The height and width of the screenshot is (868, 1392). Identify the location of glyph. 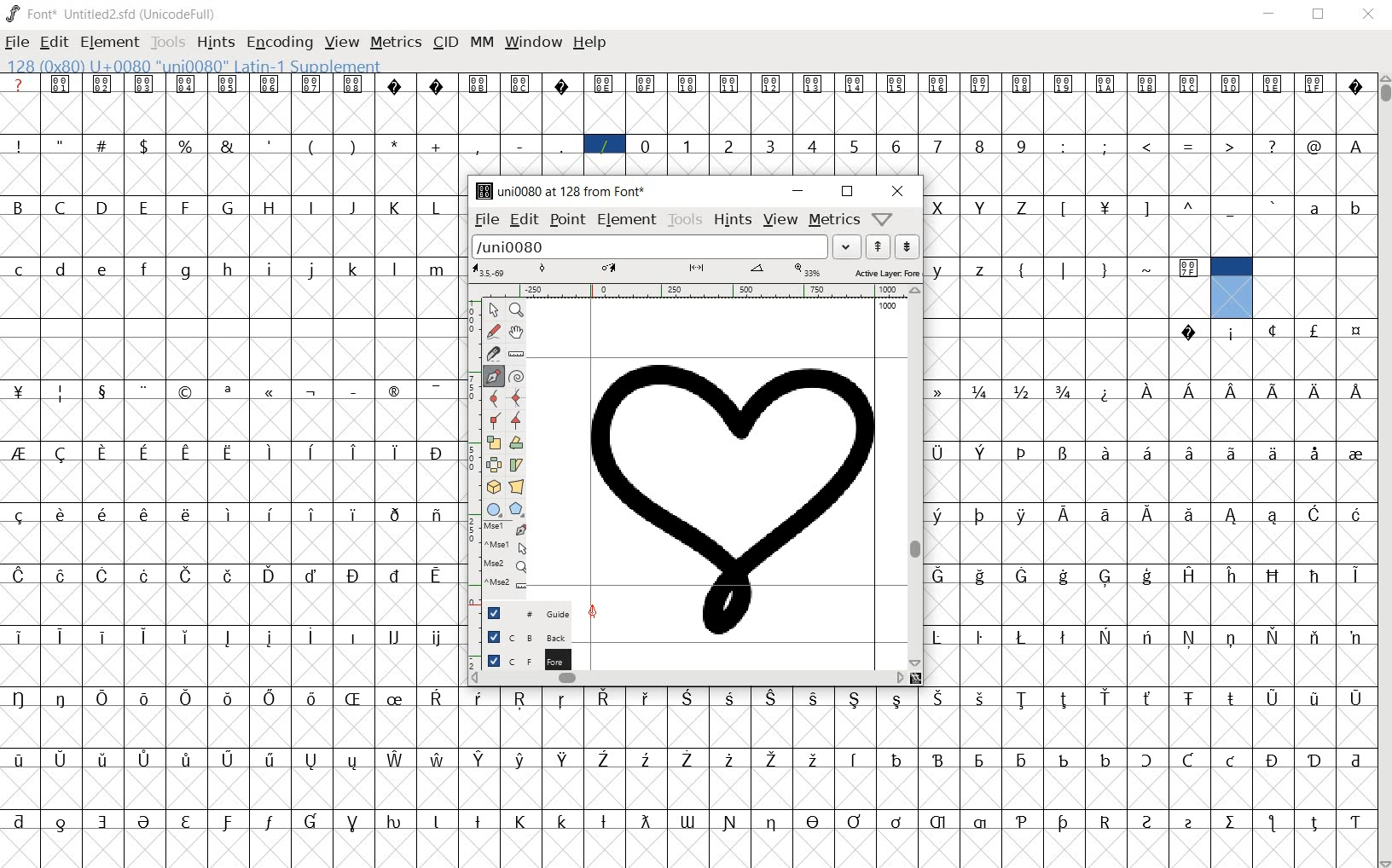
(815, 699).